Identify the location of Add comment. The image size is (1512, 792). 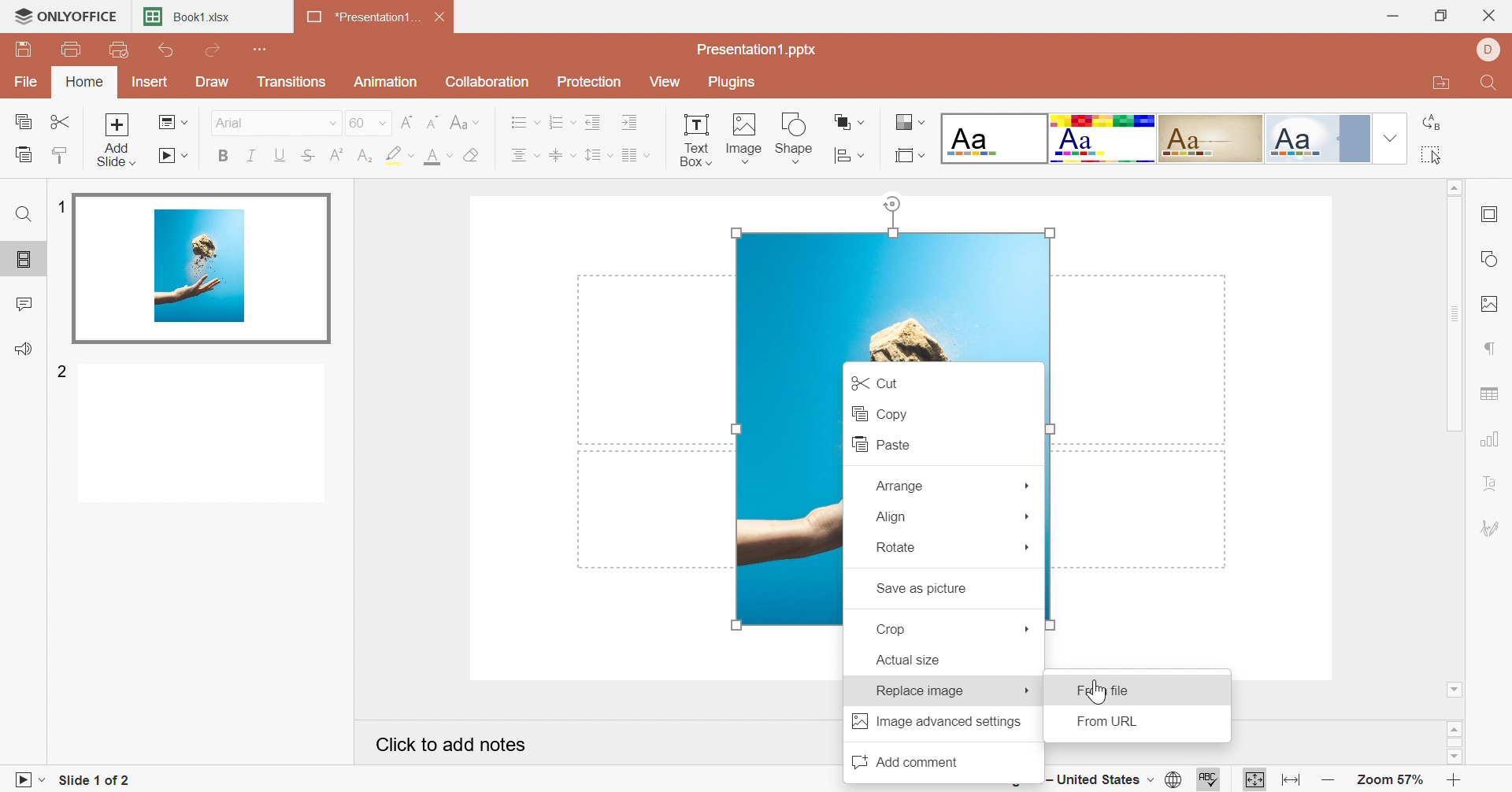
(903, 760).